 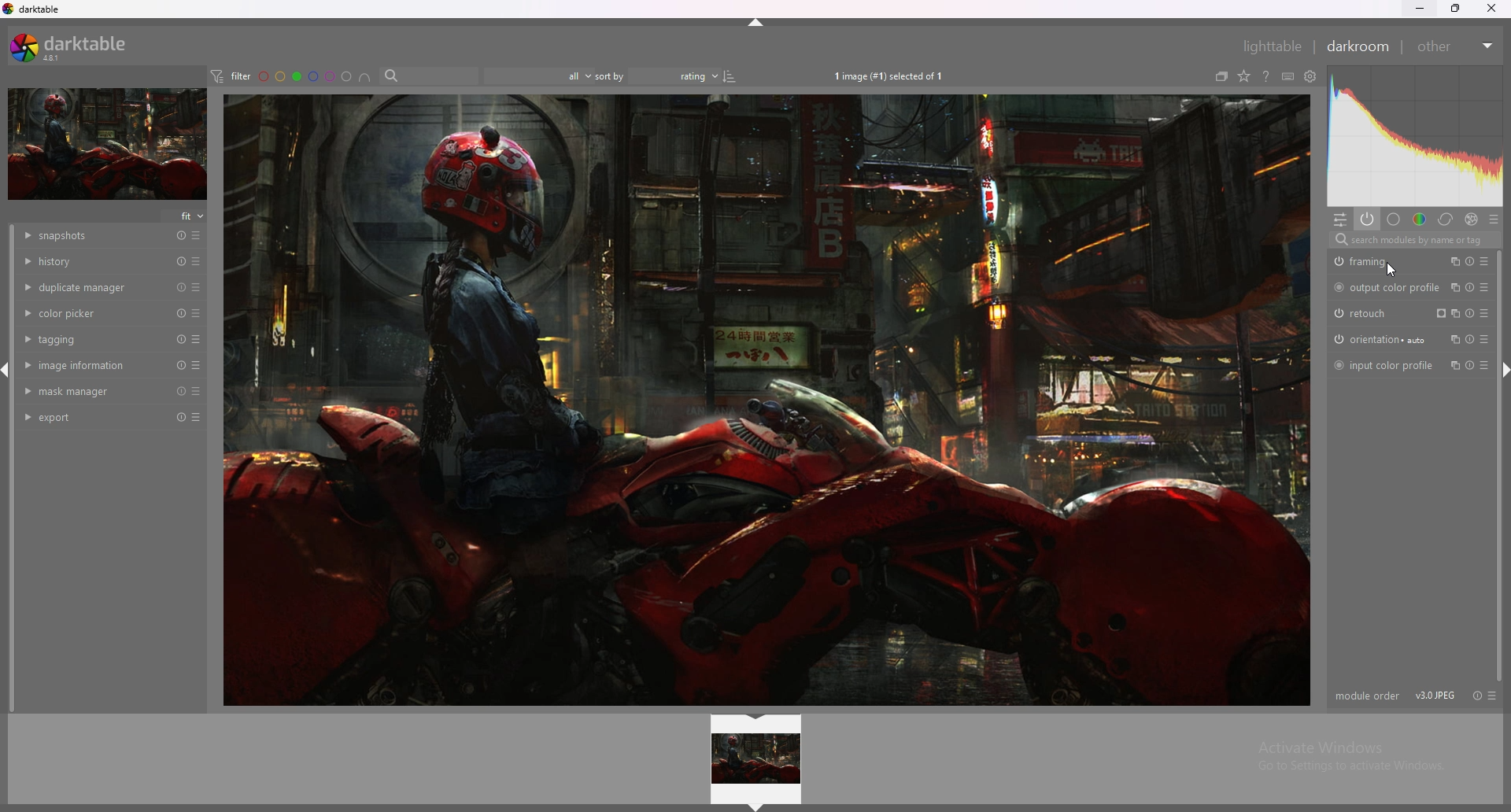 What do you see at coordinates (93, 418) in the screenshot?
I see `export` at bounding box center [93, 418].